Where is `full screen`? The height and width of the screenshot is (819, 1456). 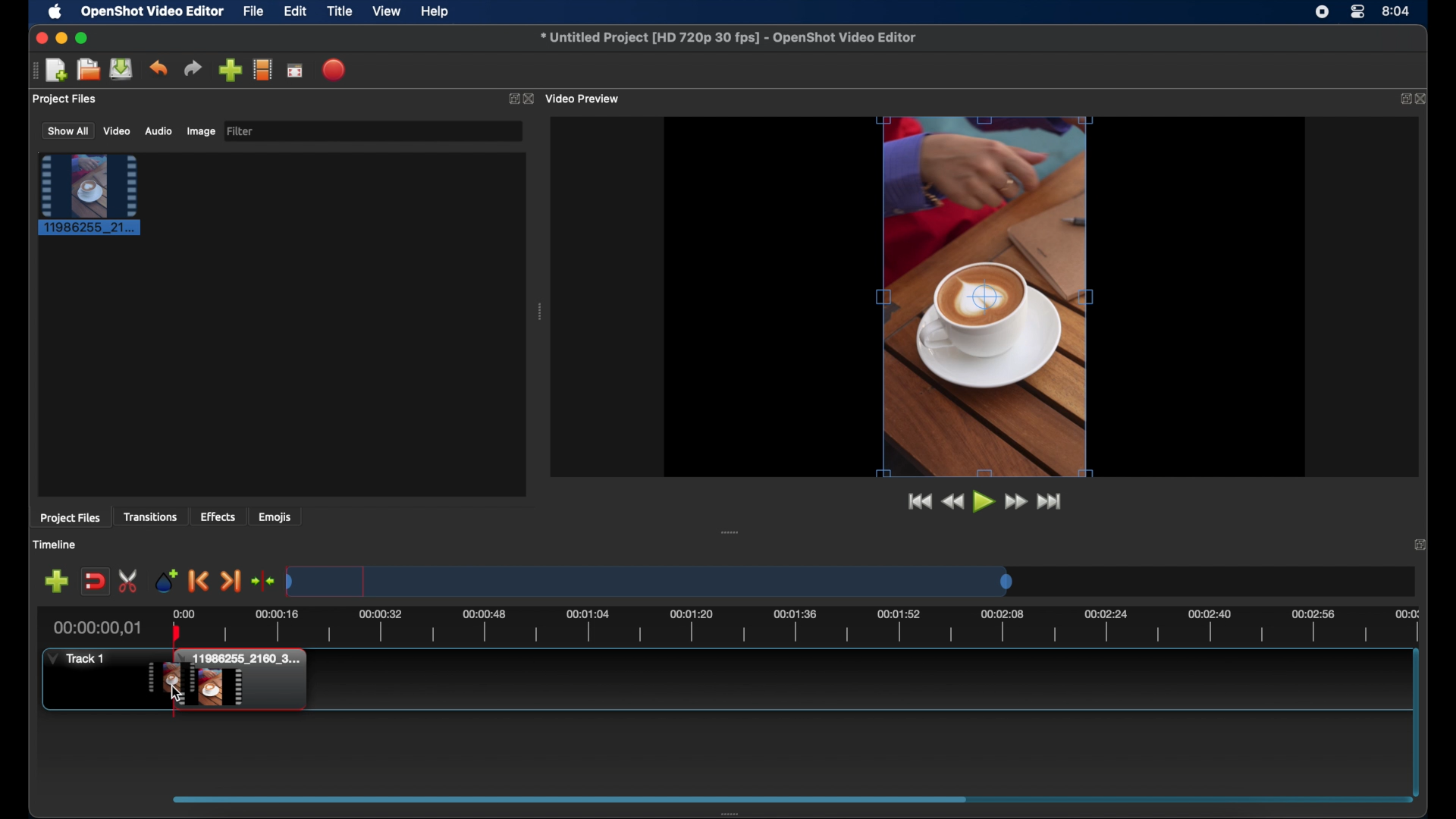 full screen is located at coordinates (295, 69).